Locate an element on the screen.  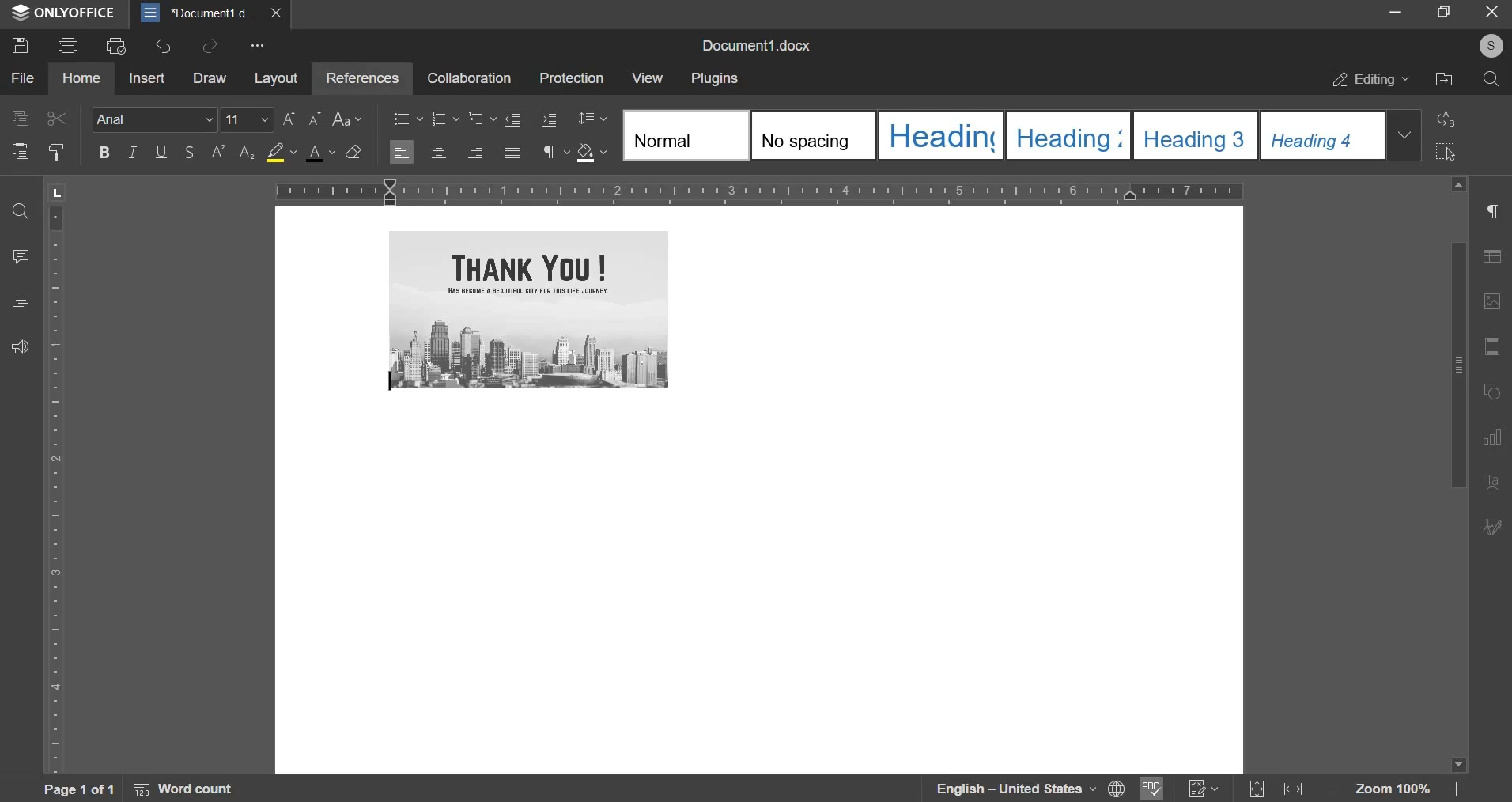
clear style is located at coordinates (354, 150).